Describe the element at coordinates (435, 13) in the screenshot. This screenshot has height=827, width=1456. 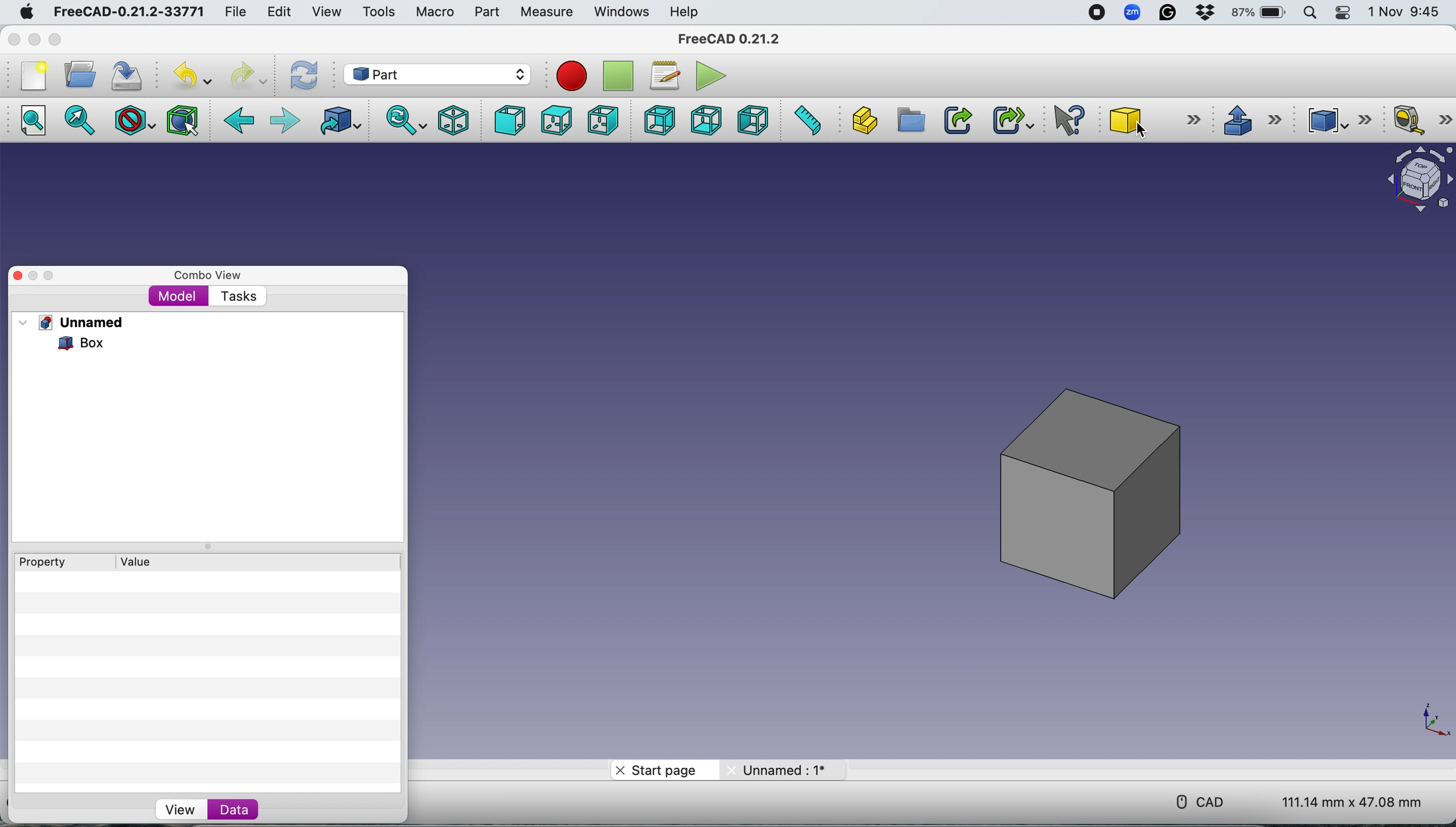
I see `Macro` at that location.